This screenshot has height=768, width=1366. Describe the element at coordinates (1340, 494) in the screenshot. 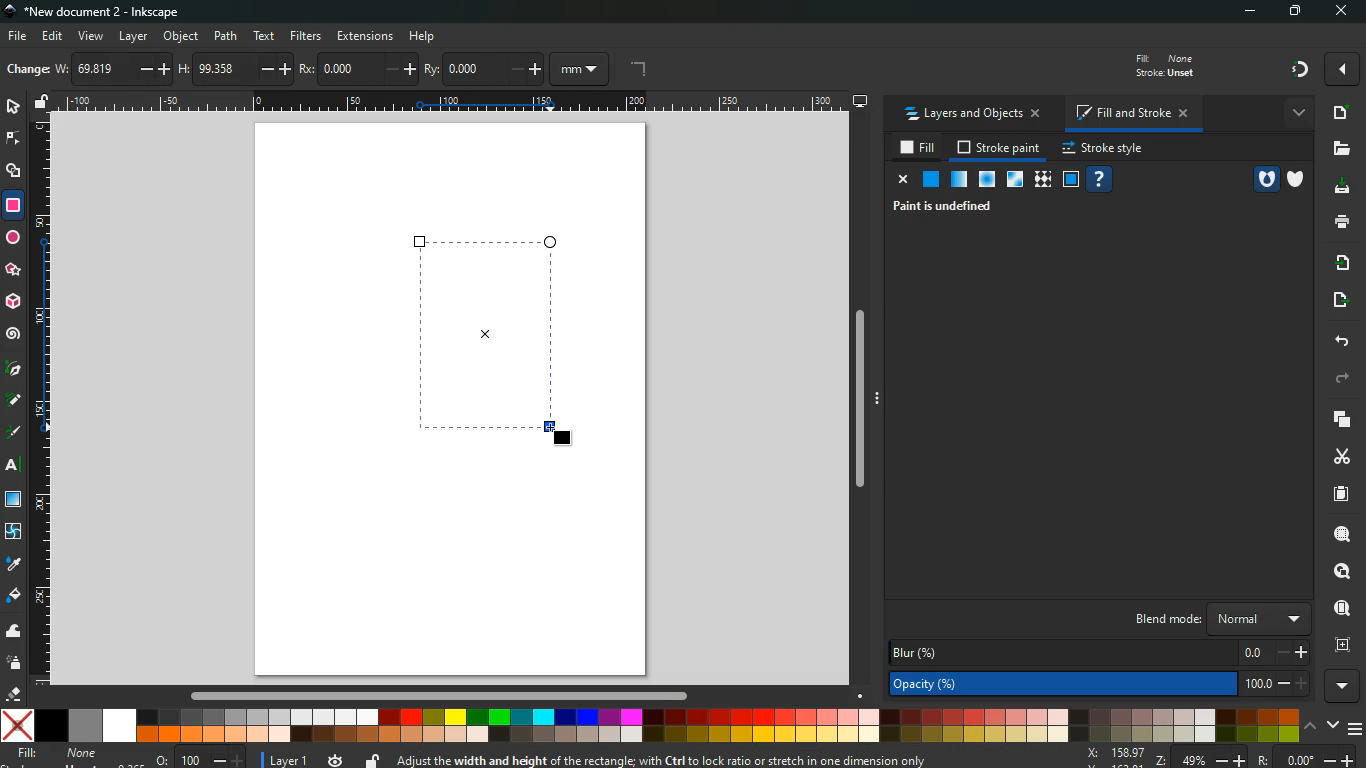

I see `paper` at that location.